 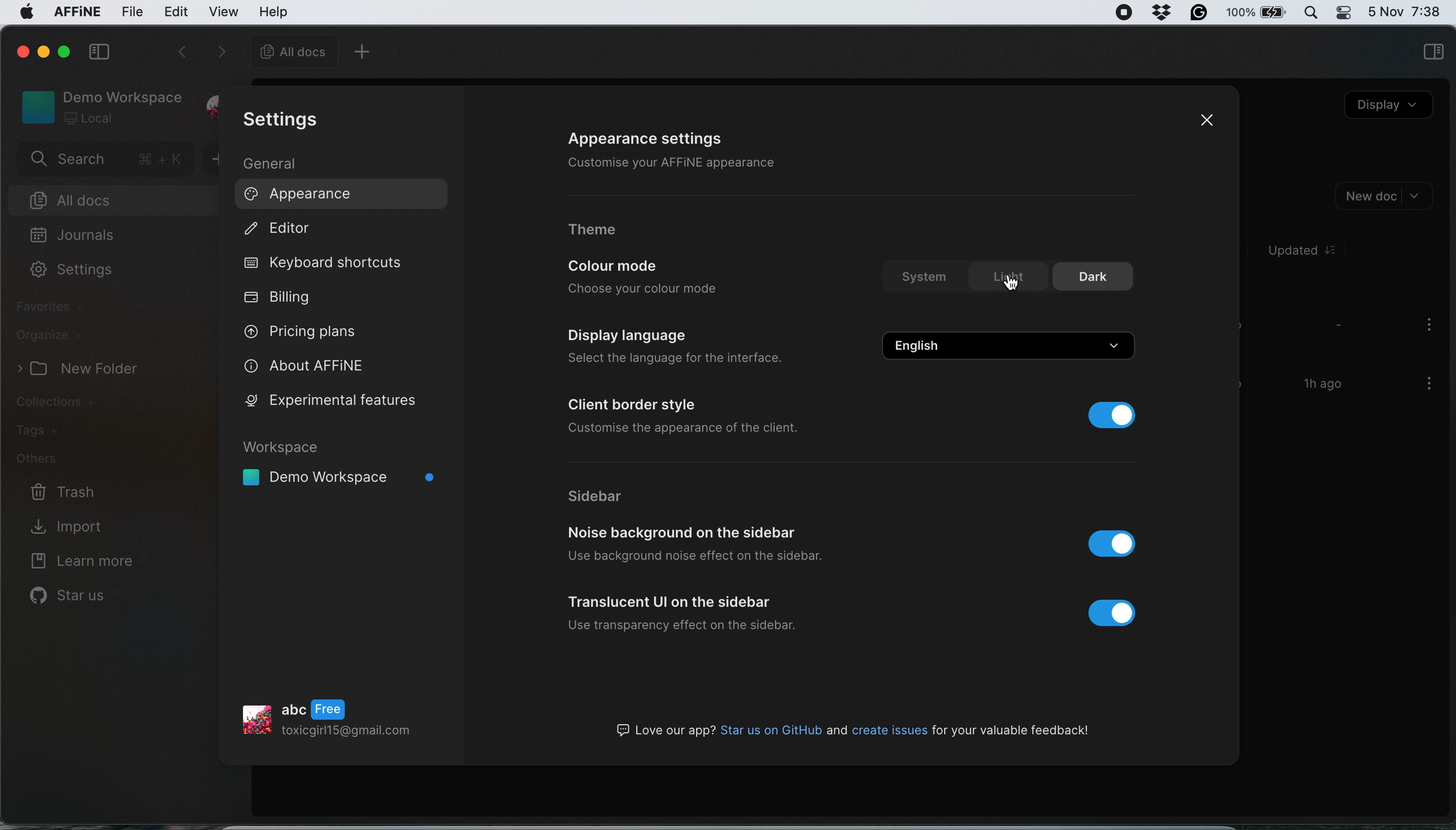 What do you see at coordinates (1425, 327) in the screenshot?
I see `more options` at bounding box center [1425, 327].